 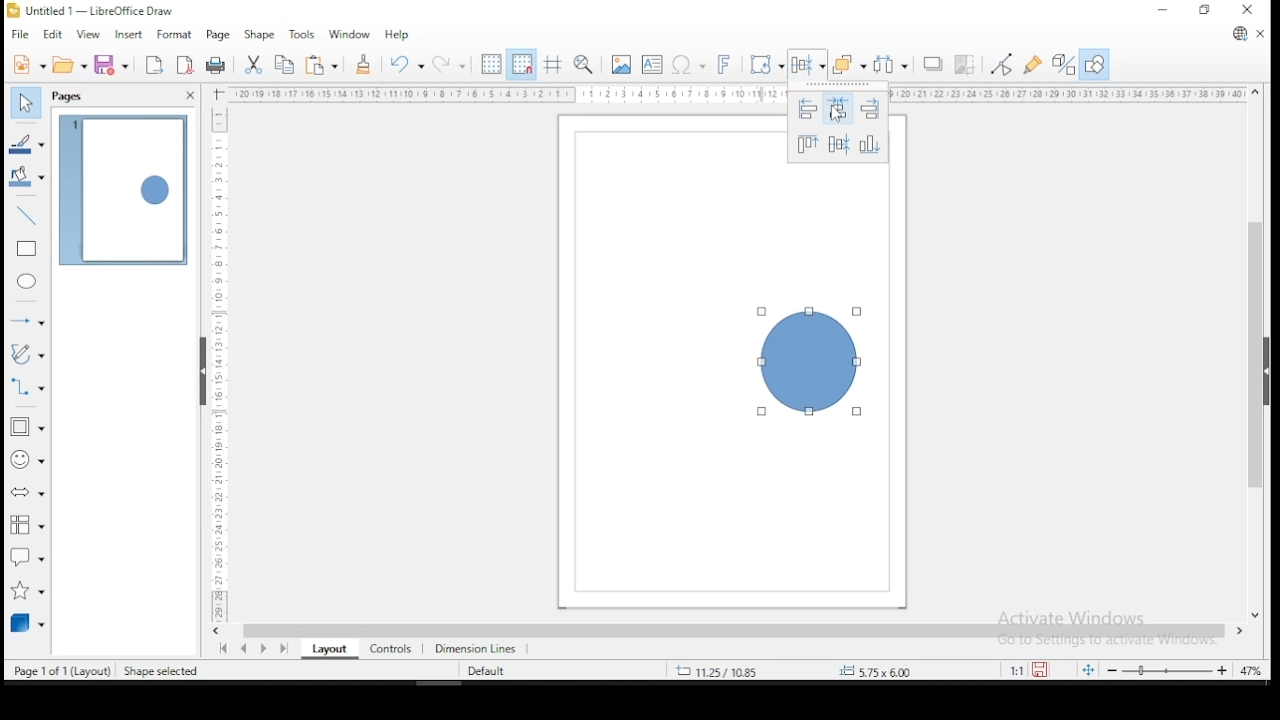 I want to click on zoom and pan, so click(x=584, y=64).